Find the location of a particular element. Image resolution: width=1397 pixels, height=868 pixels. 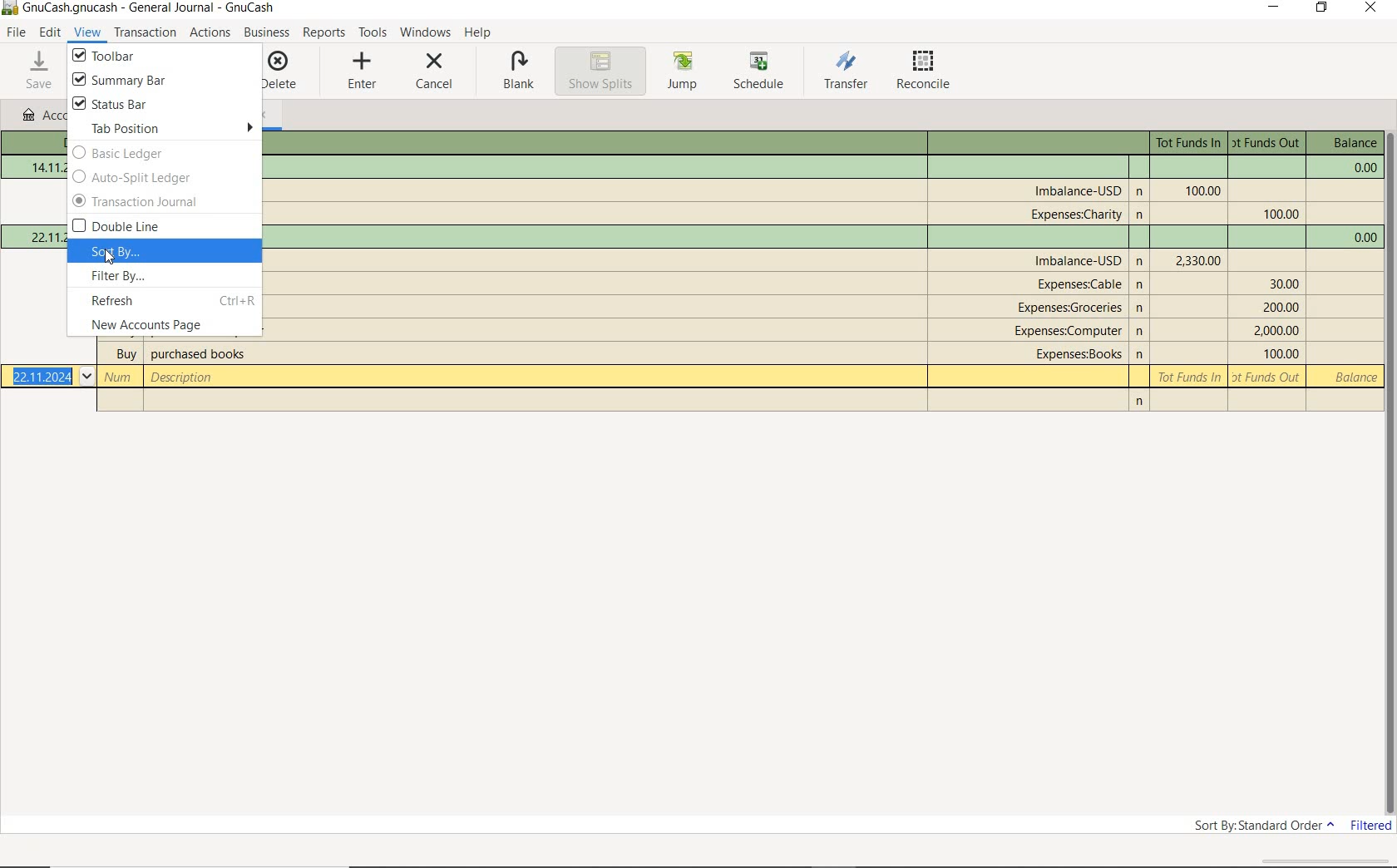

description is located at coordinates (198, 355).